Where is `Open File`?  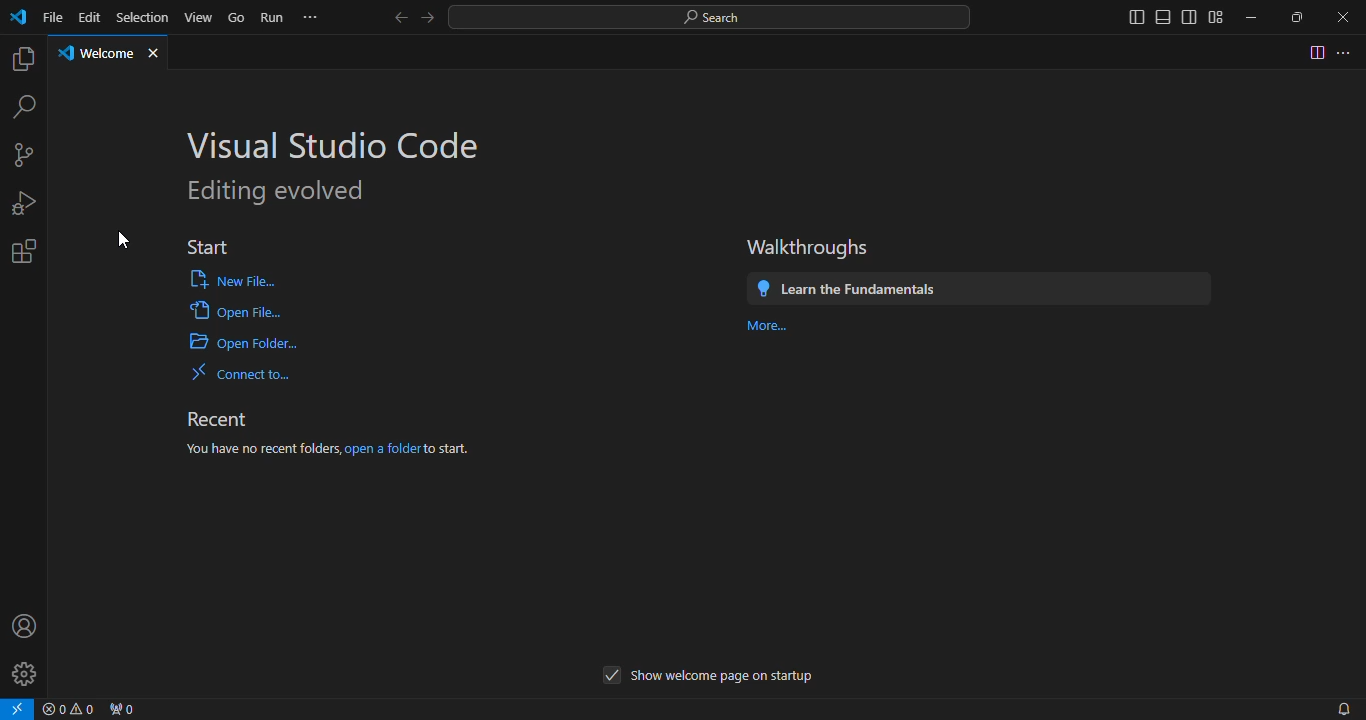
Open File is located at coordinates (223, 313).